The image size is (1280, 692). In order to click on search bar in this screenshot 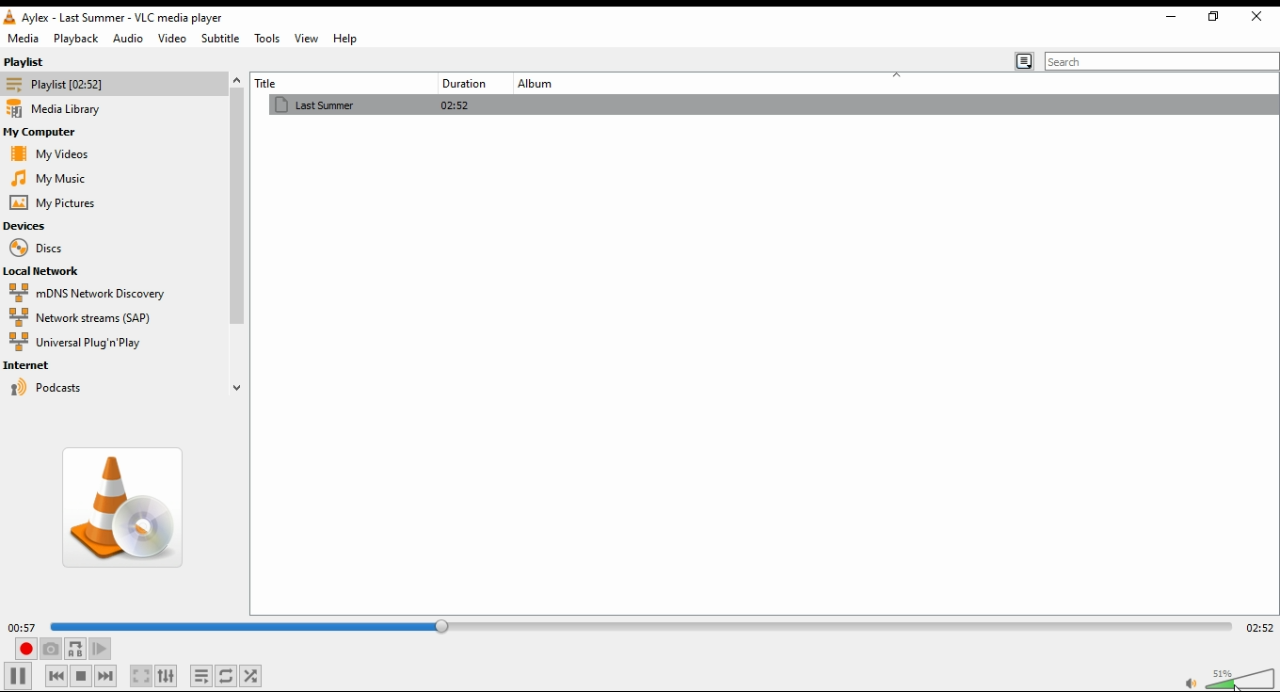, I will do `click(1162, 60)`.